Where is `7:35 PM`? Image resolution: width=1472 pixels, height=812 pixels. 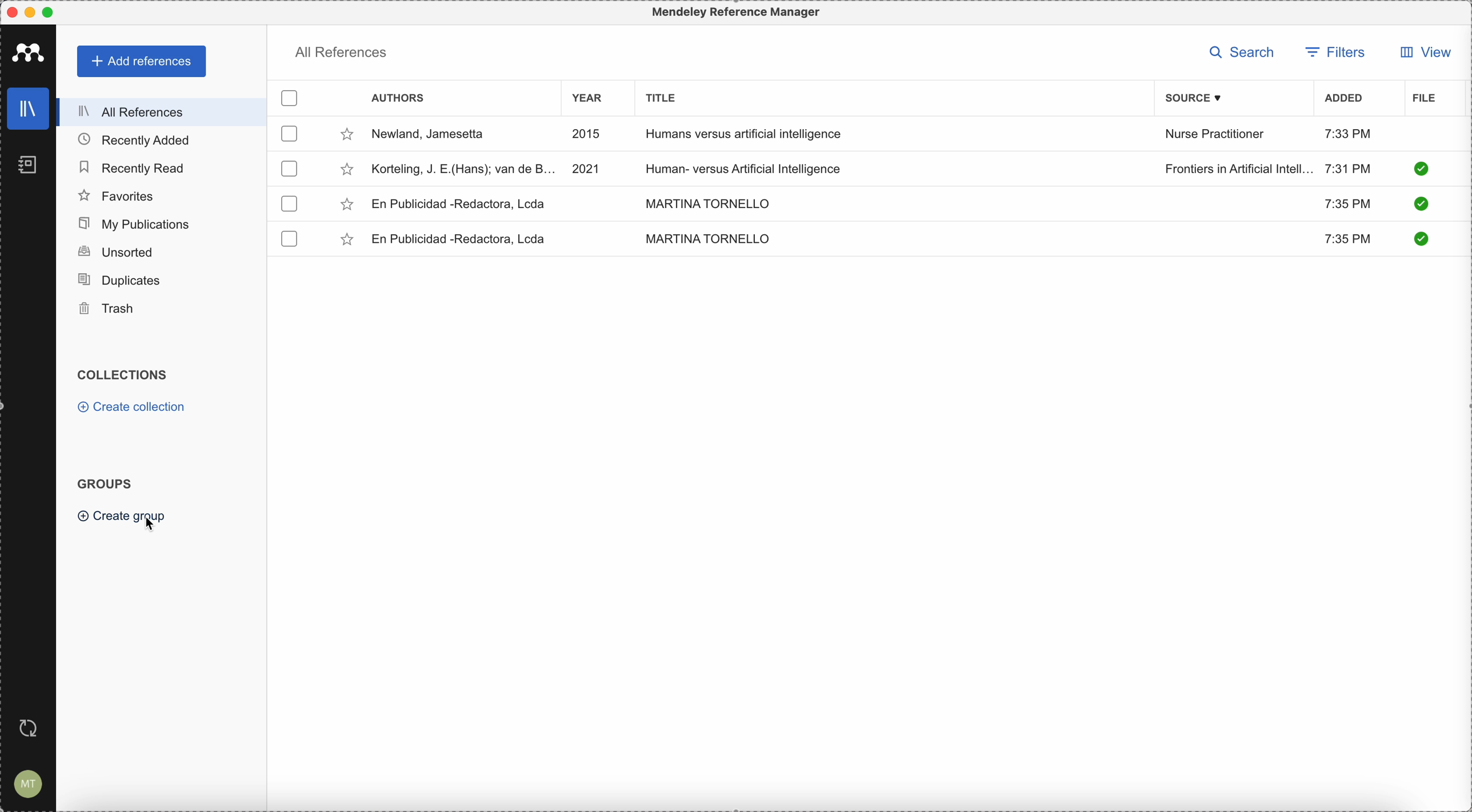
7:35 PM is located at coordinates (1350, 240).